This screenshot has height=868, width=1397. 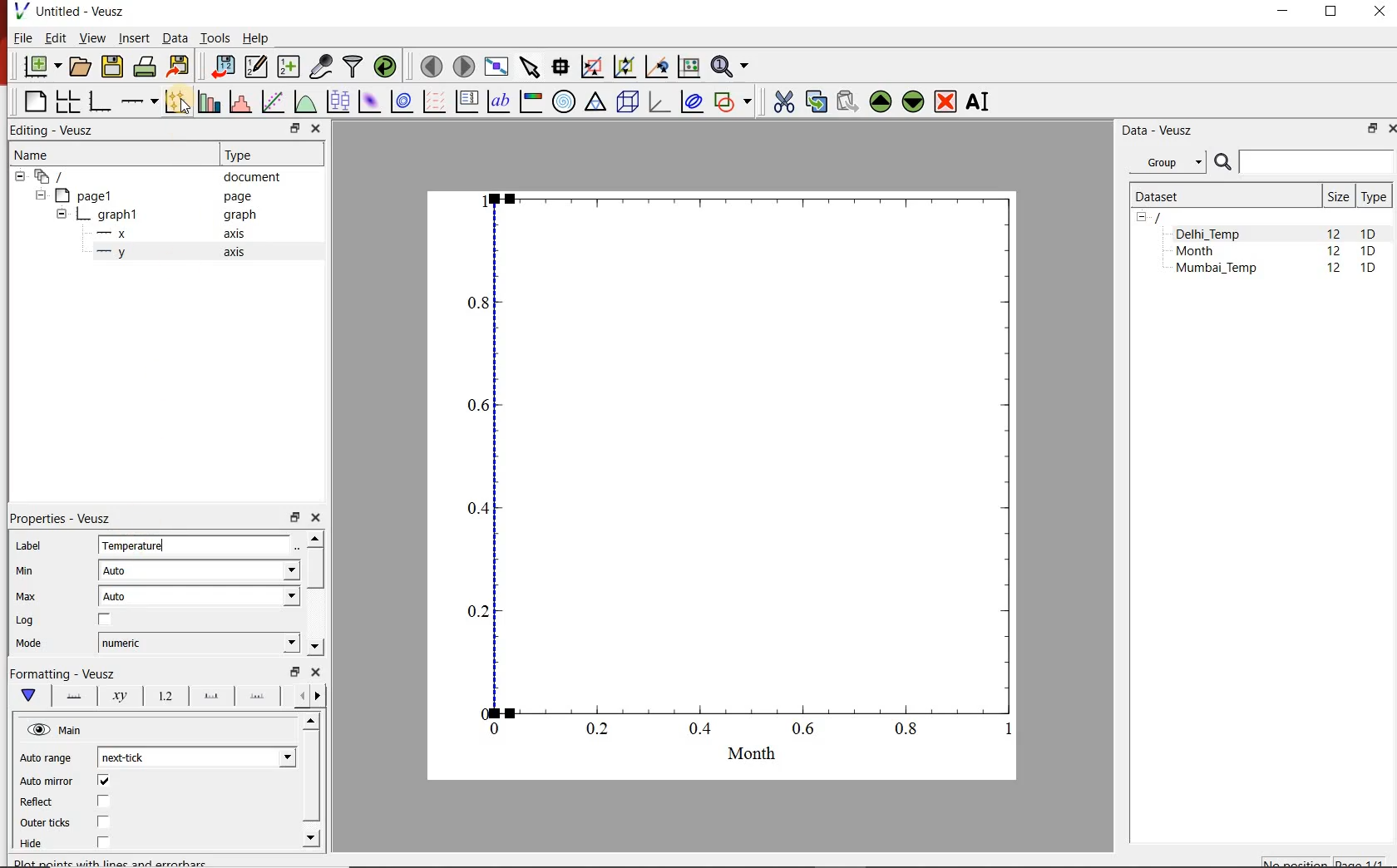 What do you see at coordinates (103, 821) in the screenshot?
I see `check/uncheck` at bounding box center [103, 821].